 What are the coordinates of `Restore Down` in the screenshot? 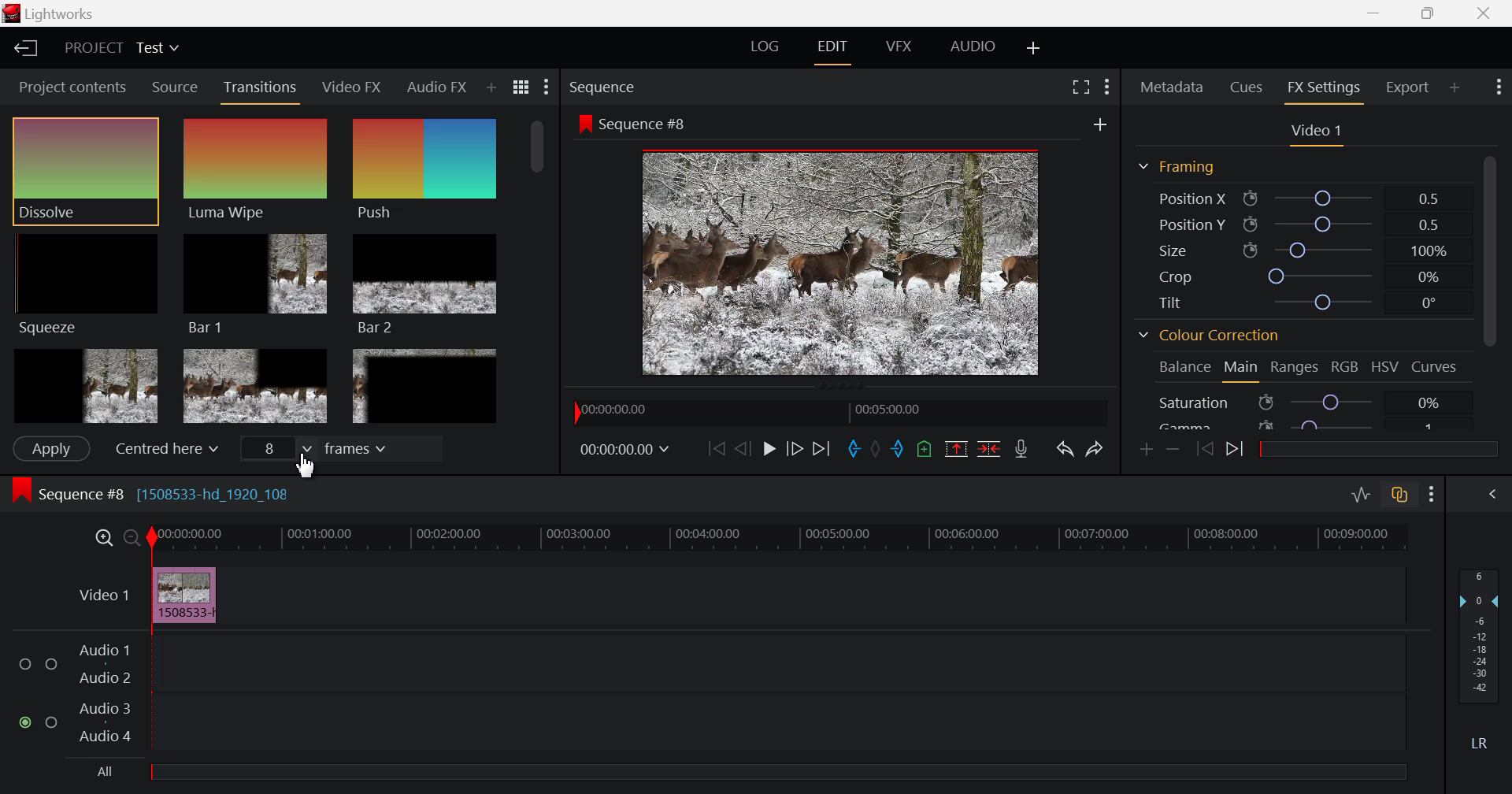 It's located at (1377, 15).